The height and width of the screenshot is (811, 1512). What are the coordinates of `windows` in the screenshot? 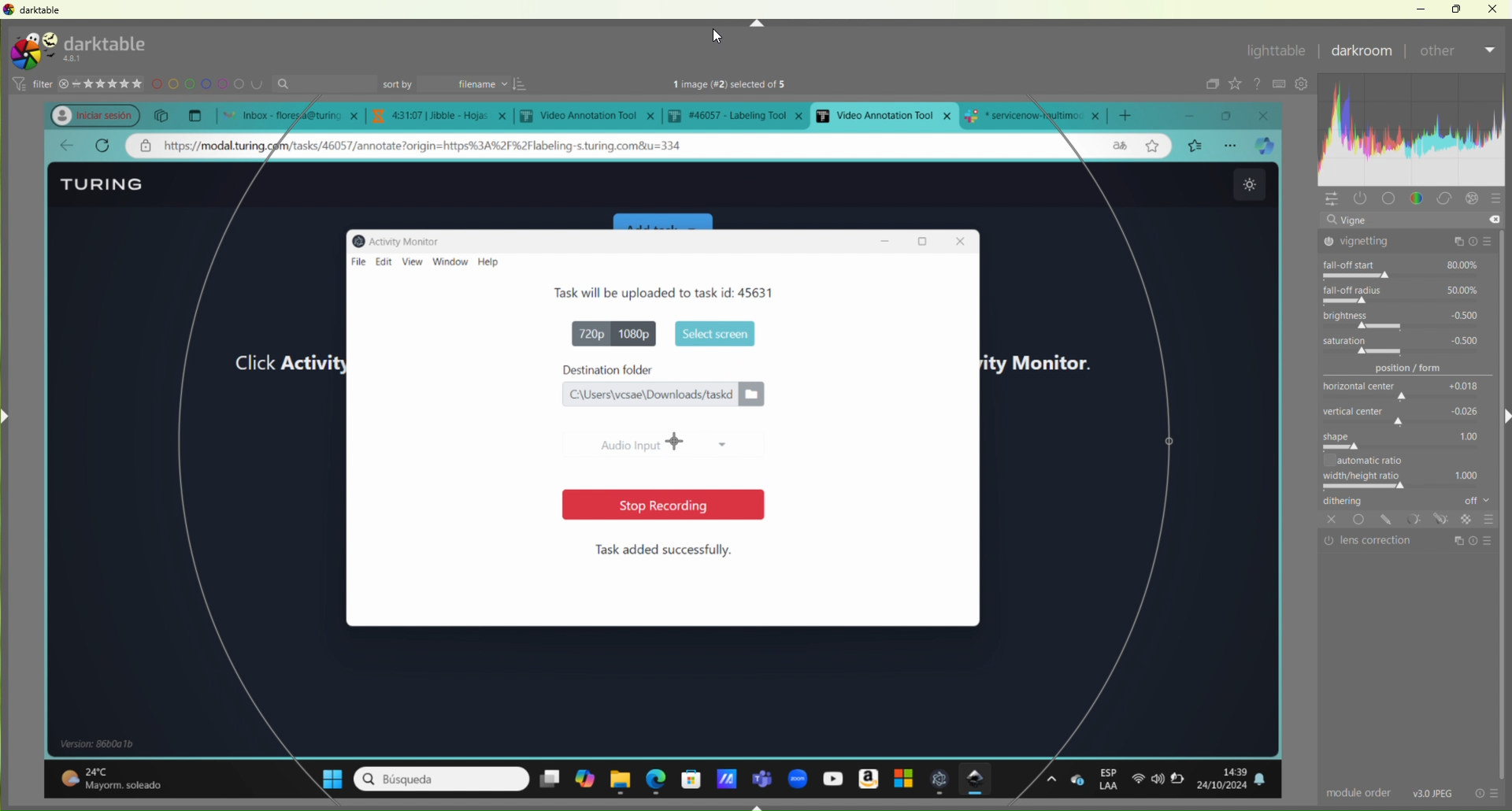 It's located at (324, 776).